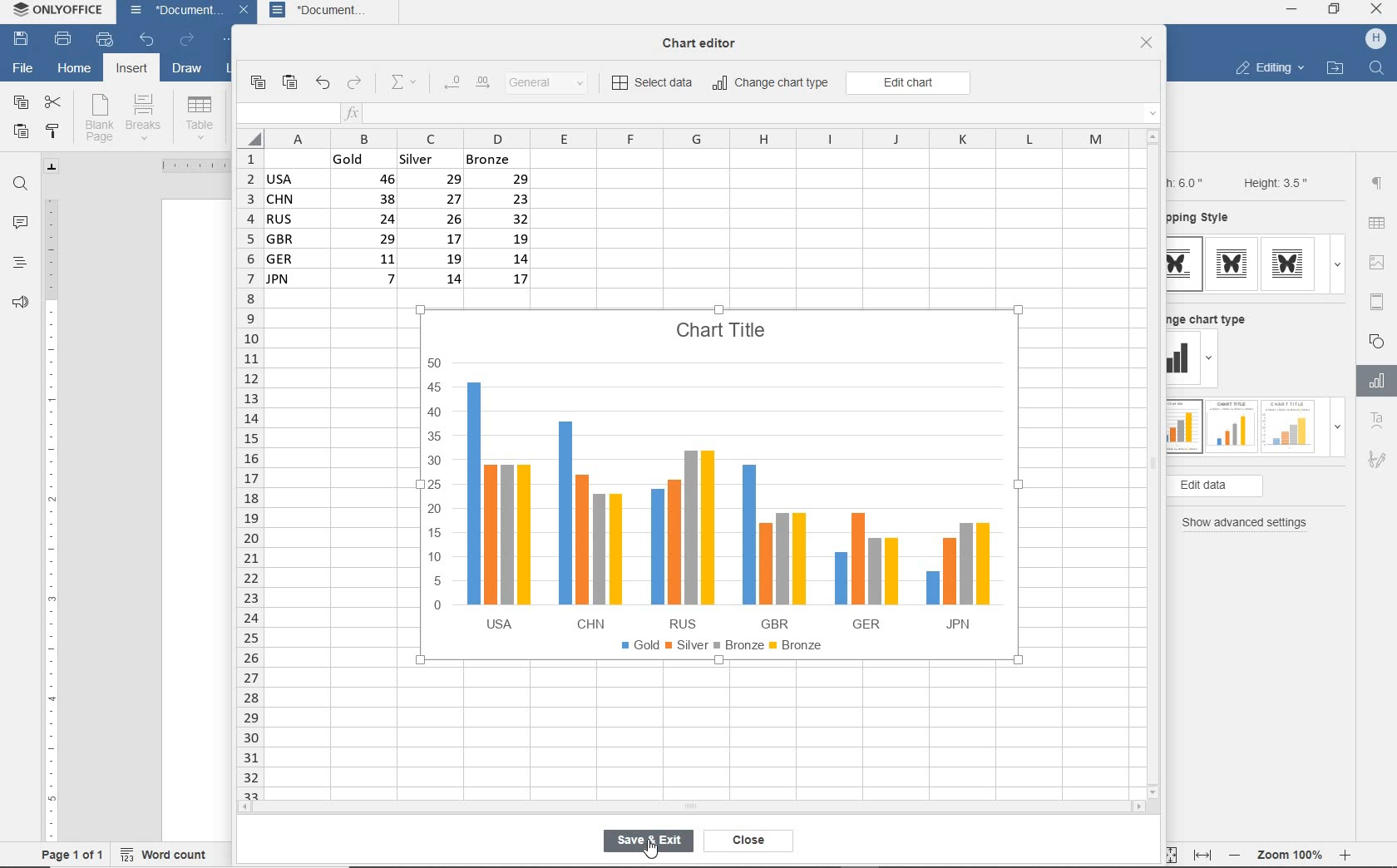  Describe the element at coordinates (1153, 136) in the screenshot. I see `scroll up` at that location.